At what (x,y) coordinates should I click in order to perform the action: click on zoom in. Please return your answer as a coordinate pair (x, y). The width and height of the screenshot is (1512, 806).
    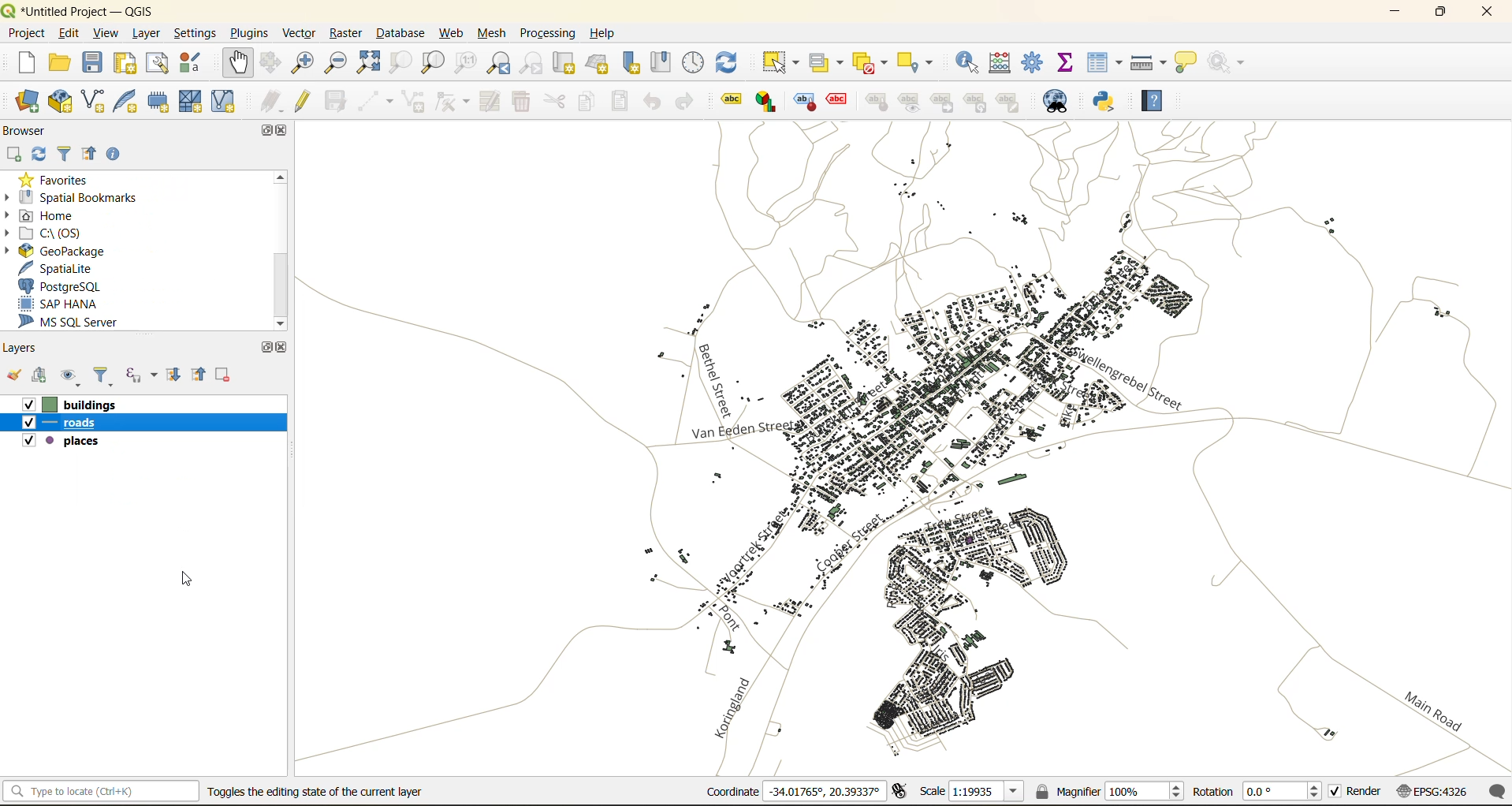
    Looking at the image, I should click on (302, 61).